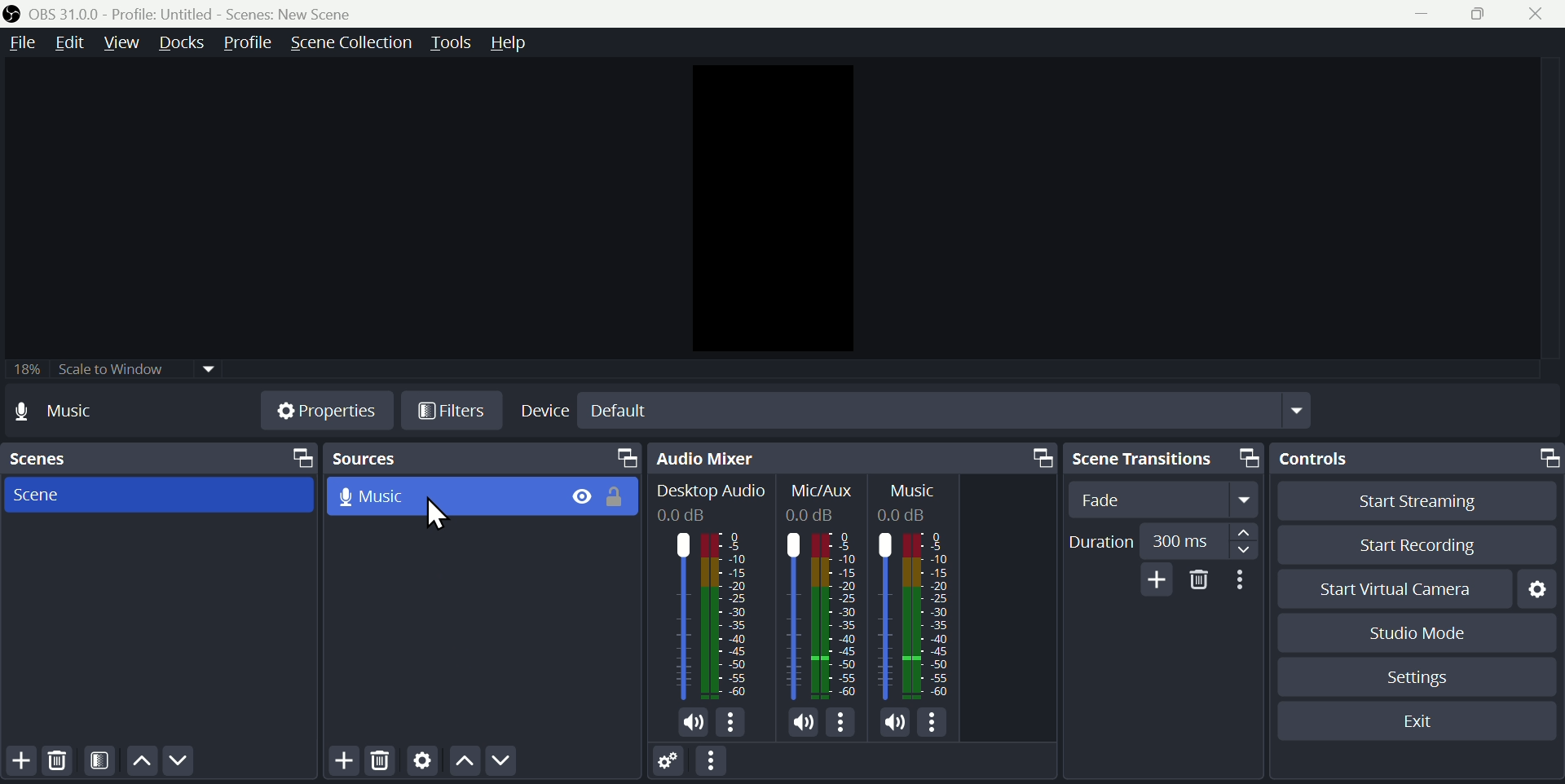  Describe the element at coordinates (669, 763) in the screenshot. I see `Settings` at that location.